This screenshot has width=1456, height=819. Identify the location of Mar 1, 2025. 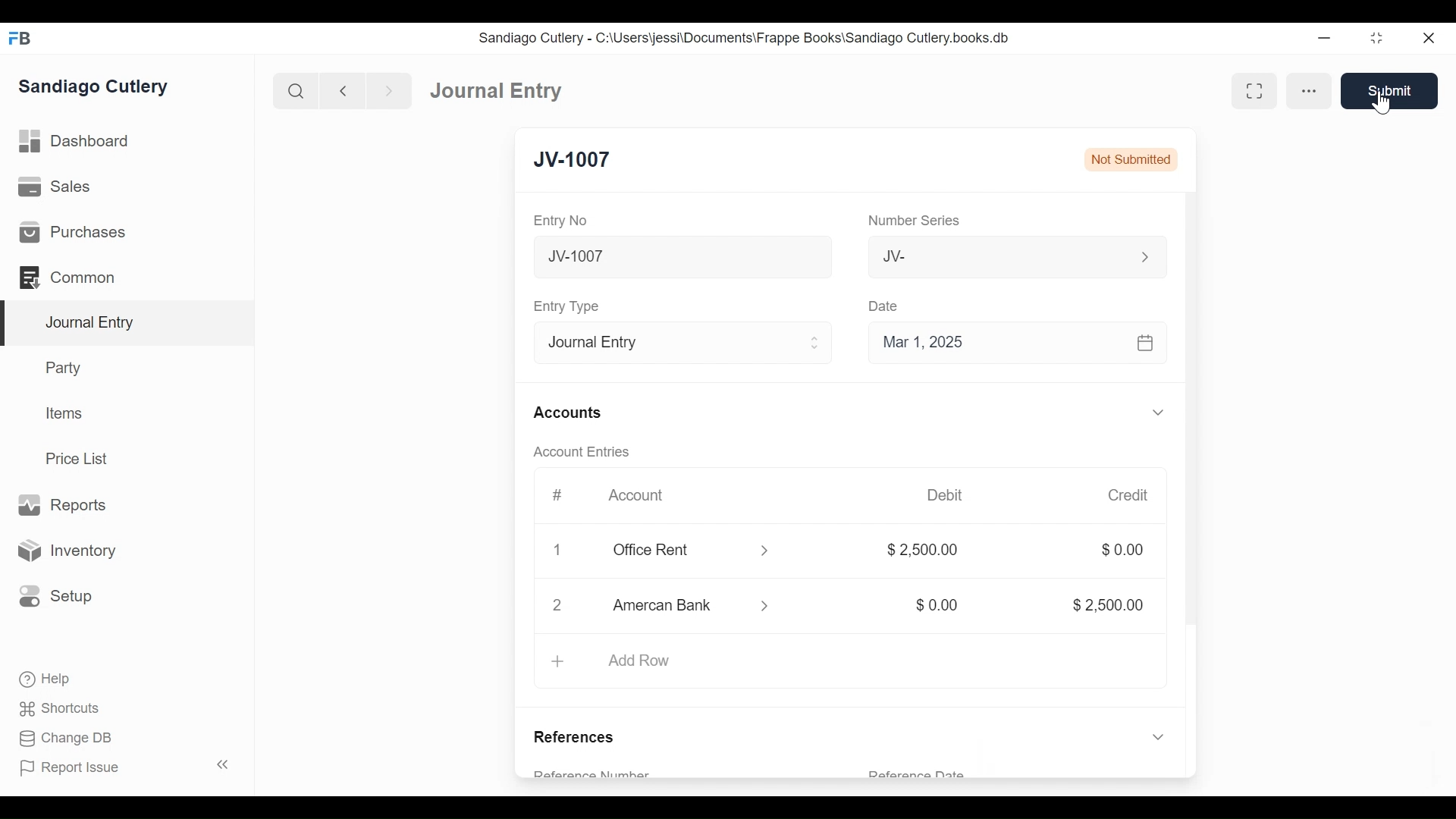
(1018, 341).